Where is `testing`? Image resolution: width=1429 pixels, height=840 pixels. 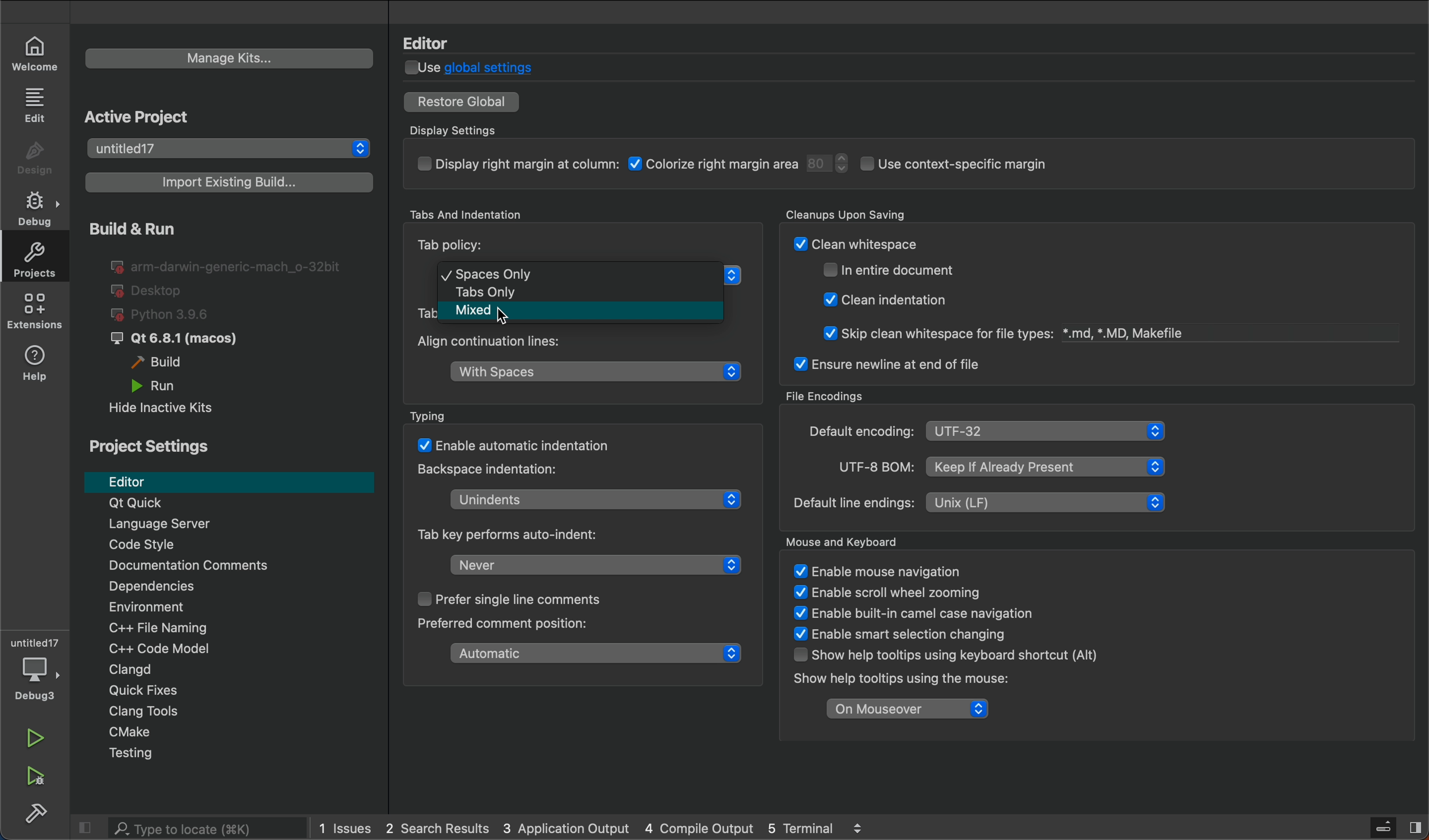 testing is located at coordinates (231, 757).